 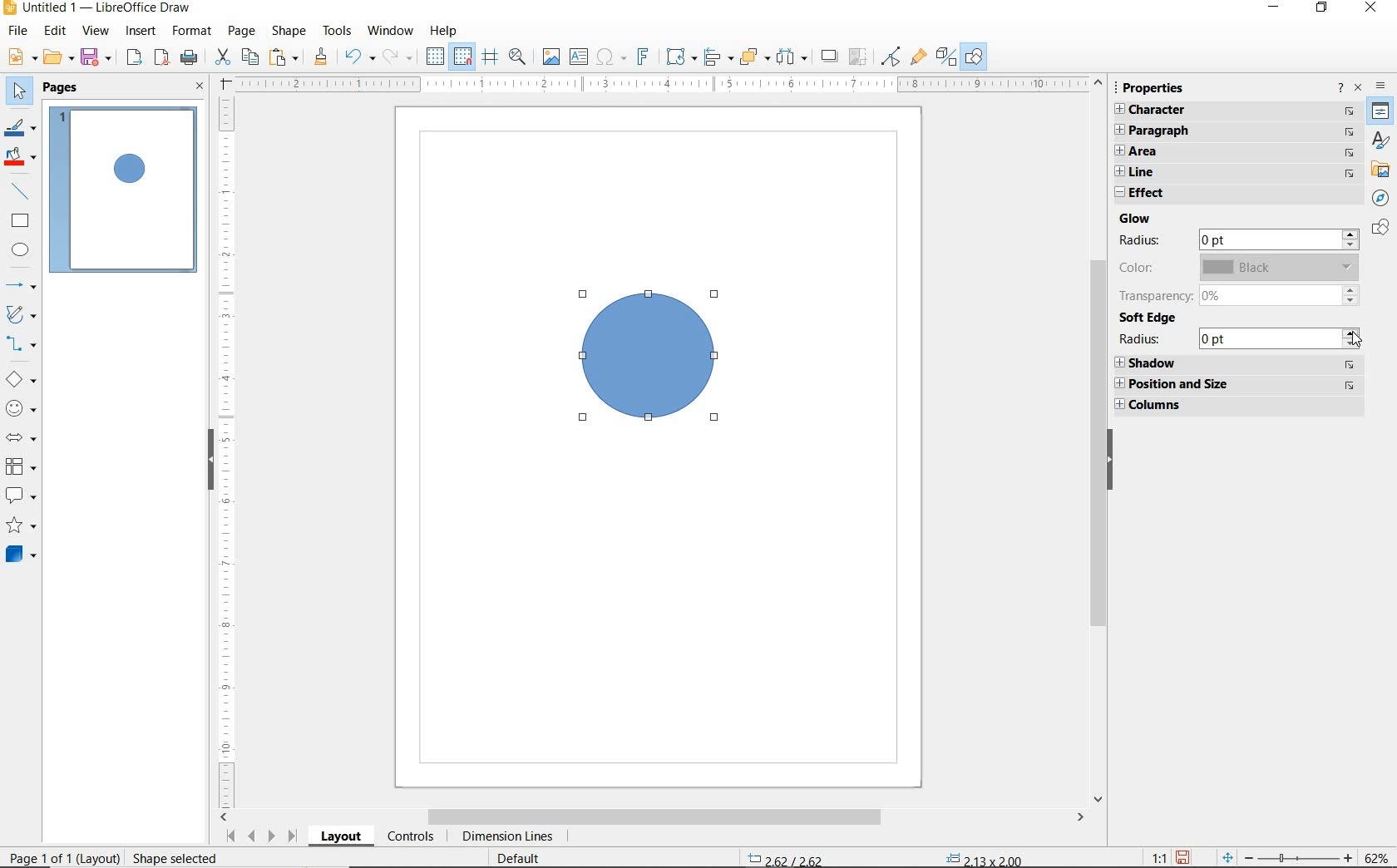 What do you see at coordinates (1096, 442) in the screenshot?
I see `Scroll bar` at bounding box center [1096, 442].